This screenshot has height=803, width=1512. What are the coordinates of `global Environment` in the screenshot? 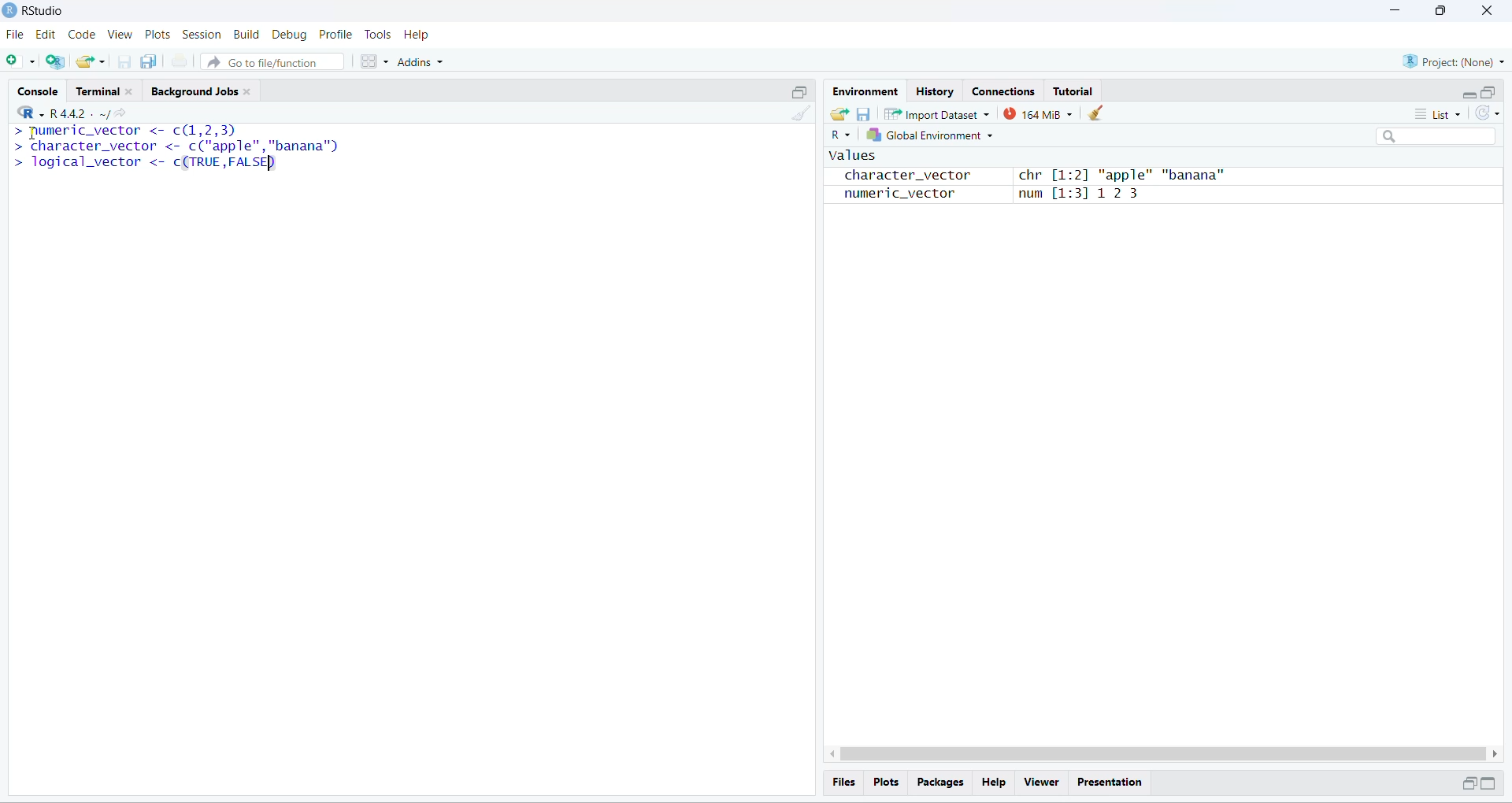 It's located at (929, 135).